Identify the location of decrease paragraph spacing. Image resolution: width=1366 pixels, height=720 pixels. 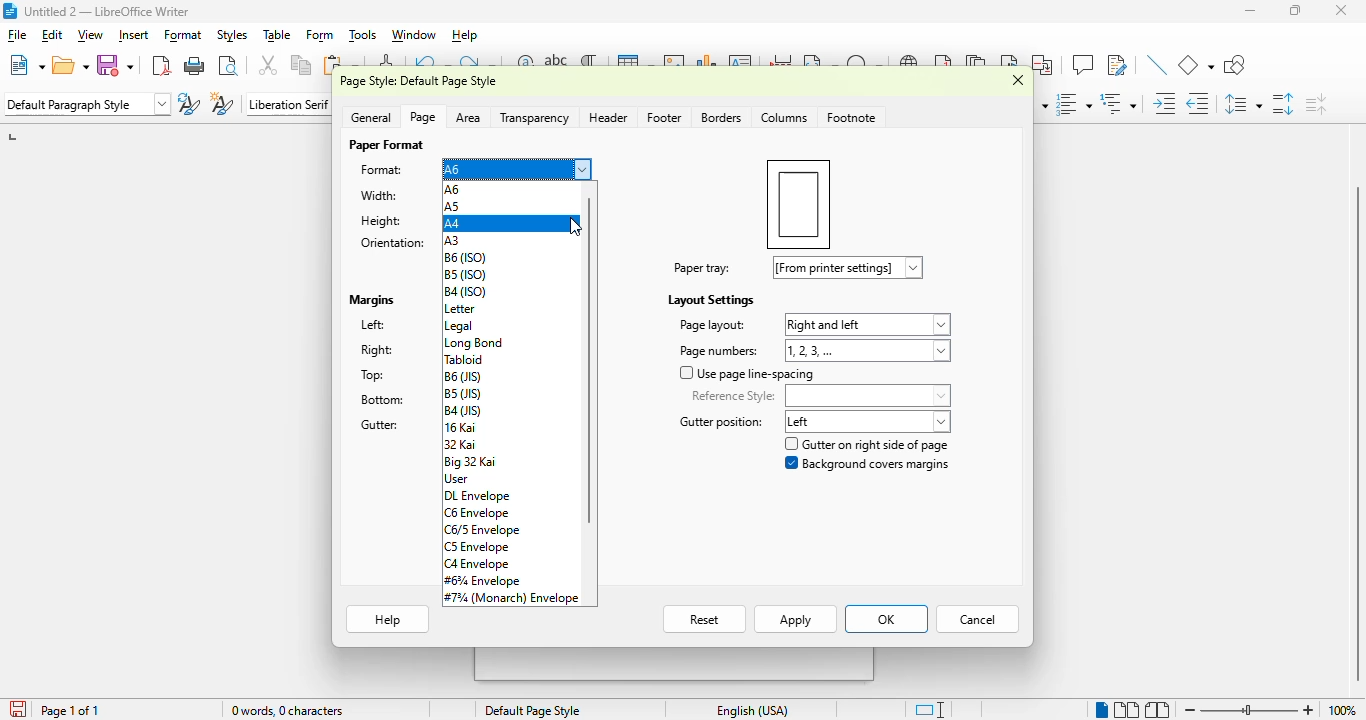
(1316, 105).